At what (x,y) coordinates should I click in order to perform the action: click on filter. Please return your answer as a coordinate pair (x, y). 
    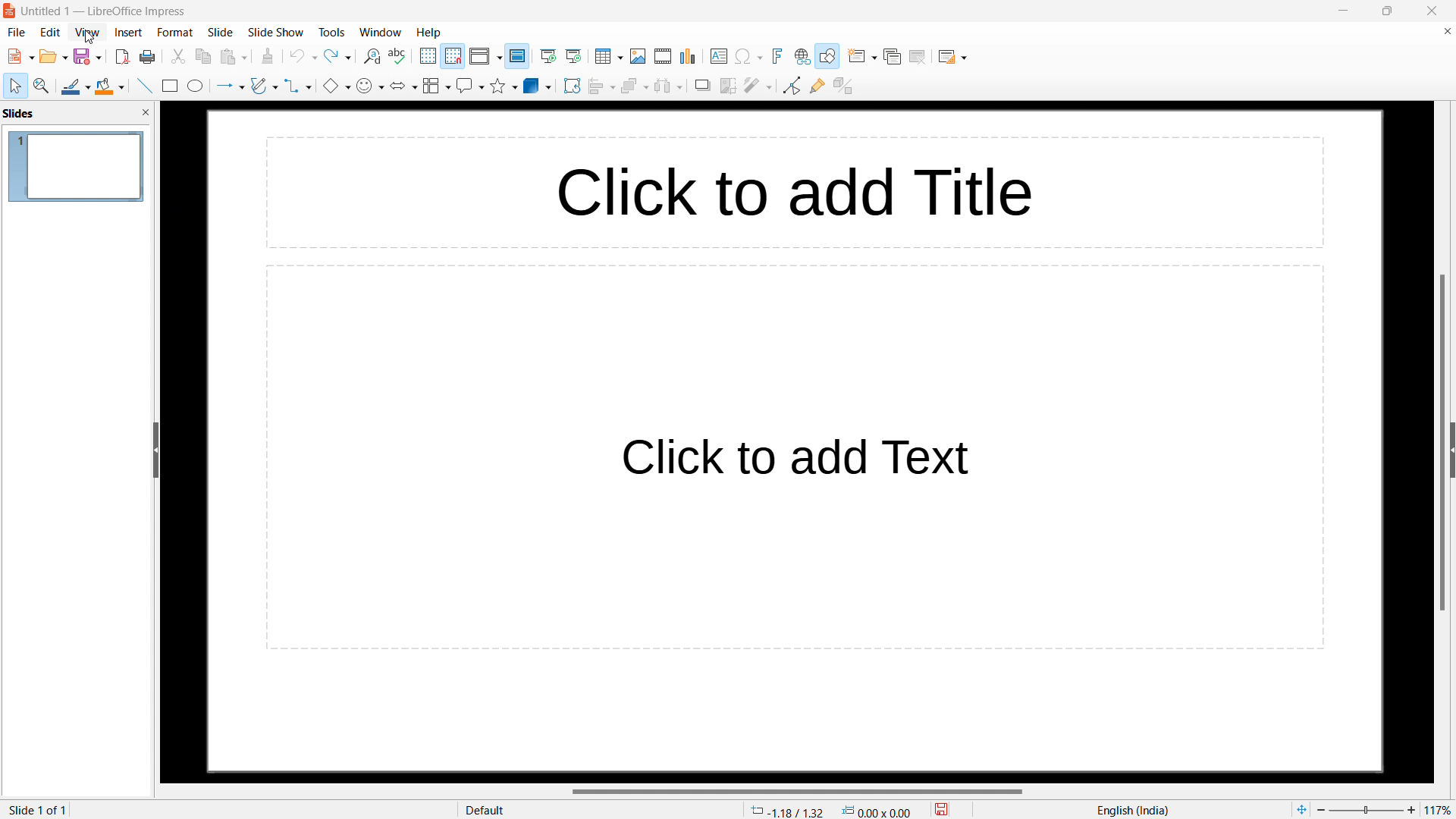
    Looking at the image, I should click on (758, 85).